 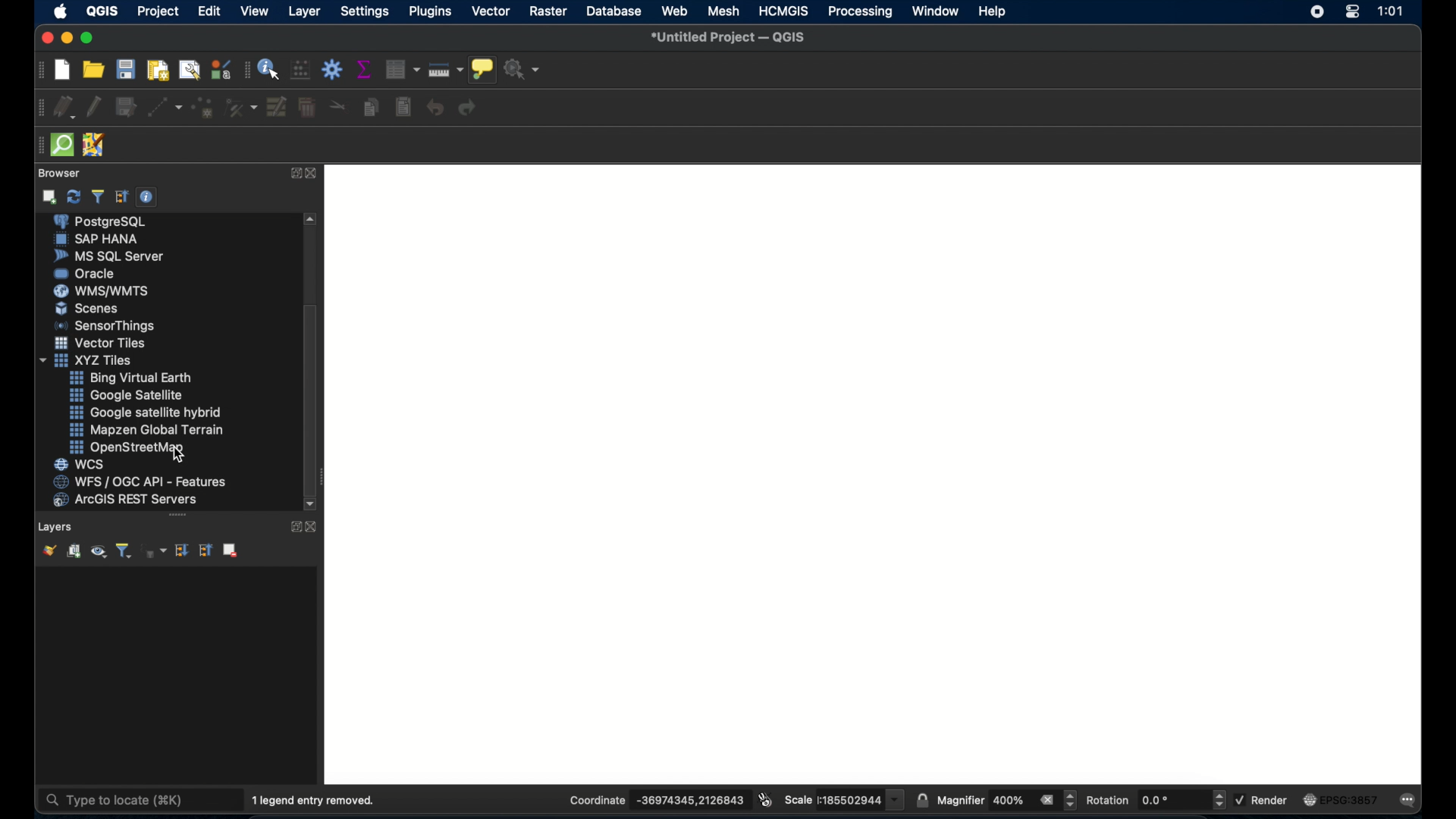 What do you see at coordinates (401, 68) in the screenshot?
I see `open attribute table` at bounding box center [401, 68].